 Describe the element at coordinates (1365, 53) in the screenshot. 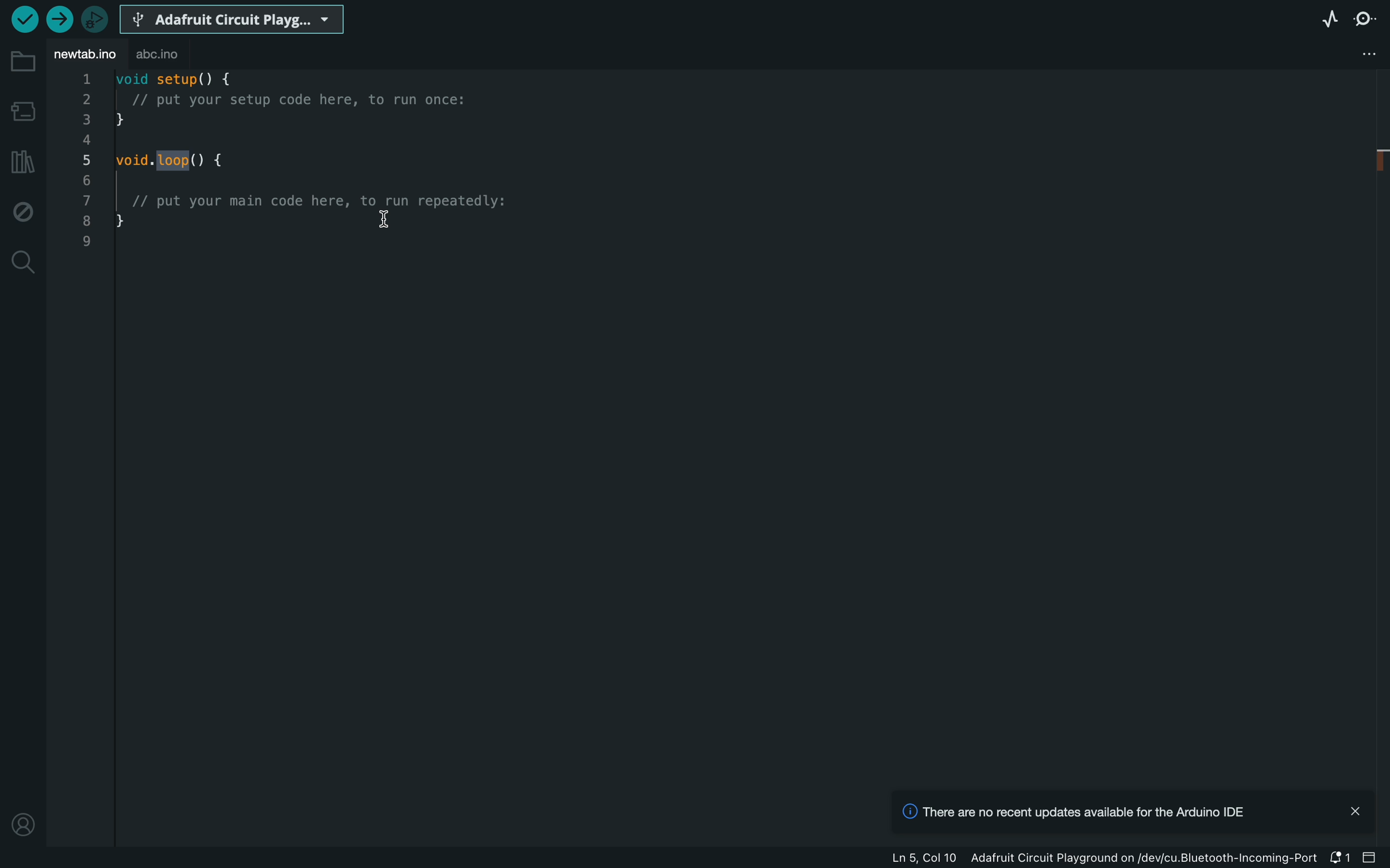

I see `file setings` at that location.